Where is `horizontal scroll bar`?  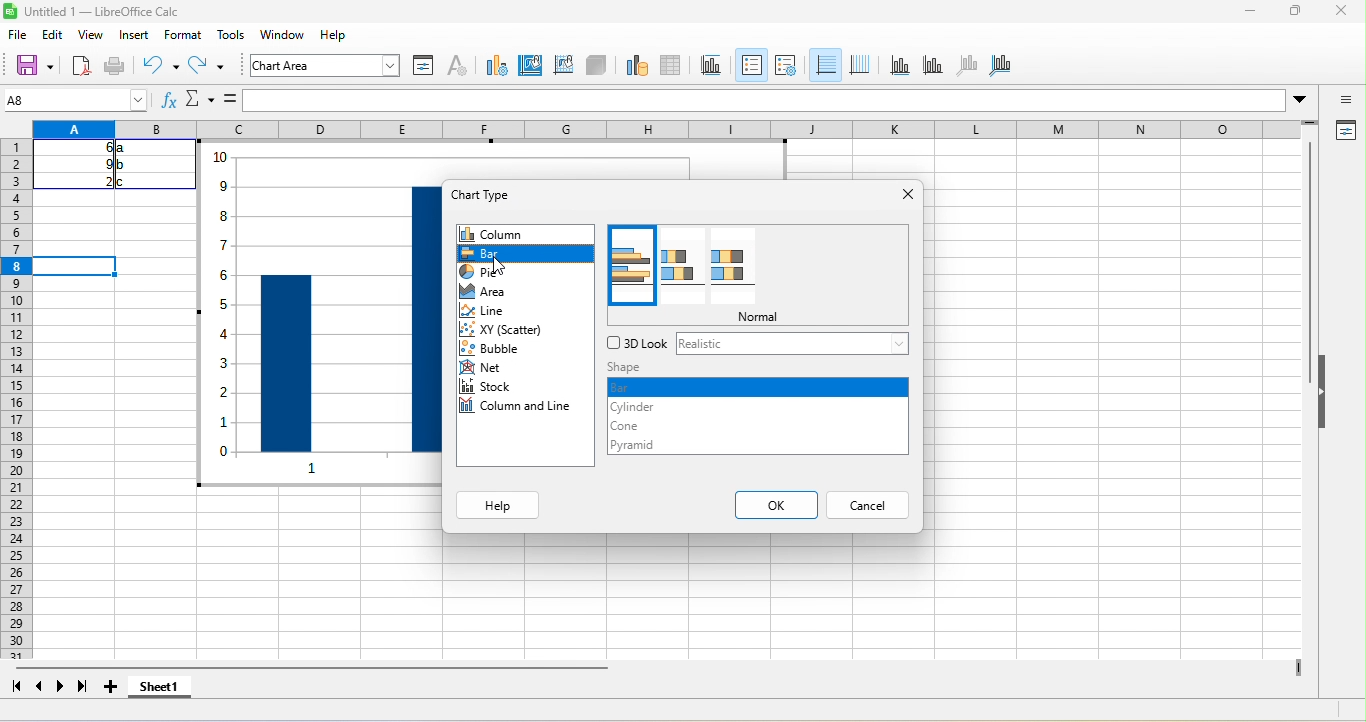 horizontal scroll bar is located at coordinates (326, 667).